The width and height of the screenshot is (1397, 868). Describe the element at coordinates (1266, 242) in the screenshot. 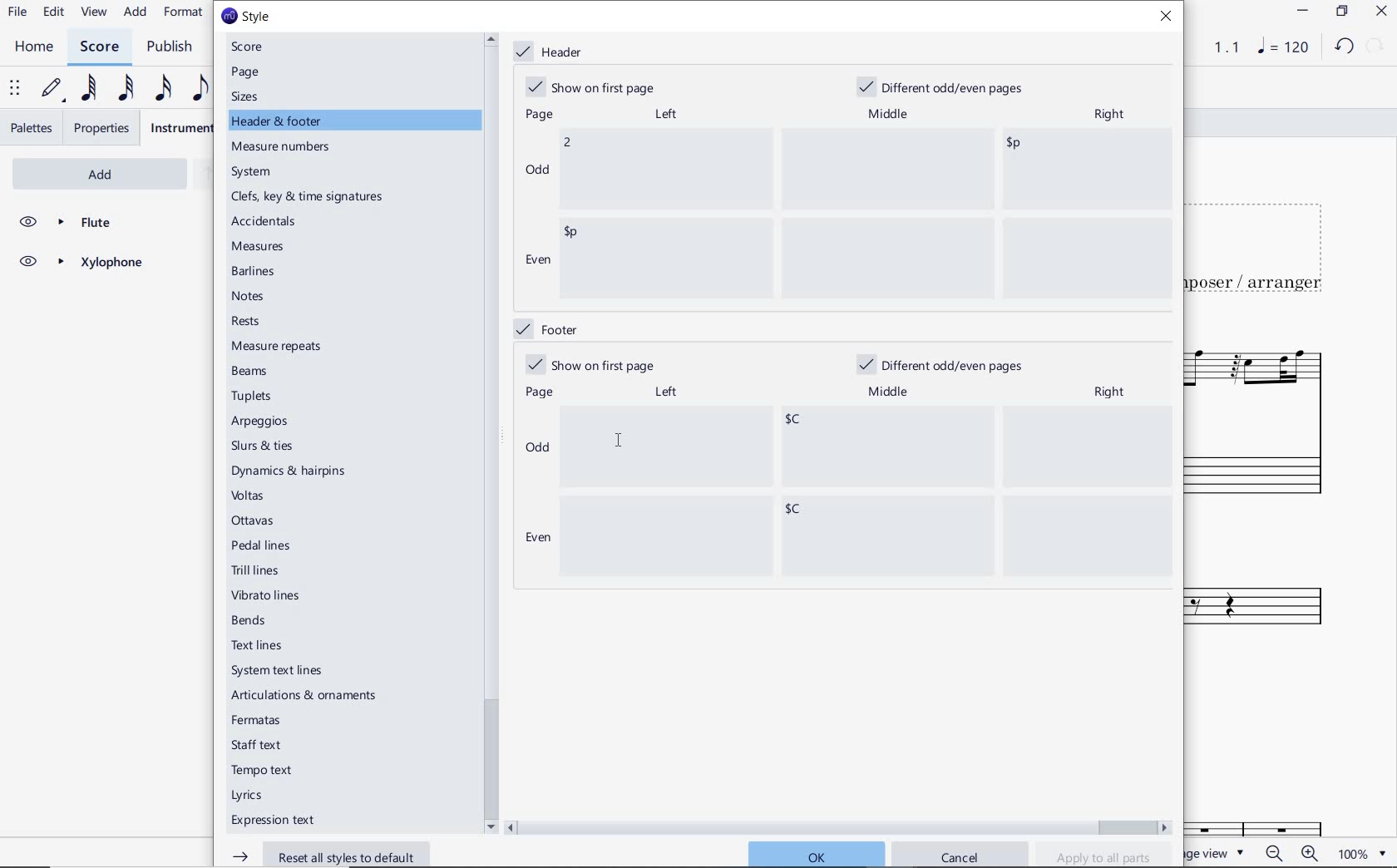

I see `TITLE` at that location.